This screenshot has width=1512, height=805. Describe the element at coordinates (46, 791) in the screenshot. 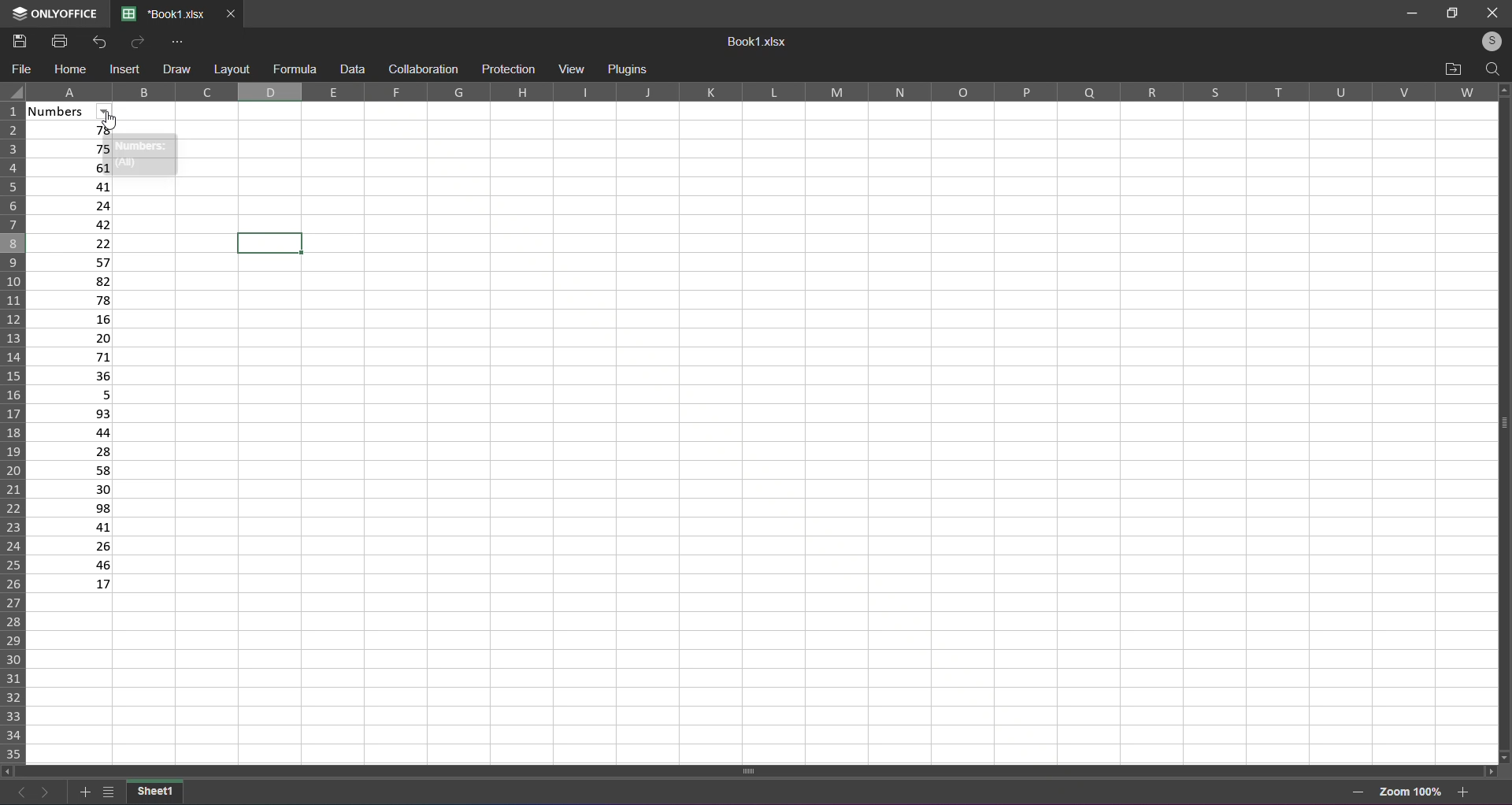

I see `next` at that location.